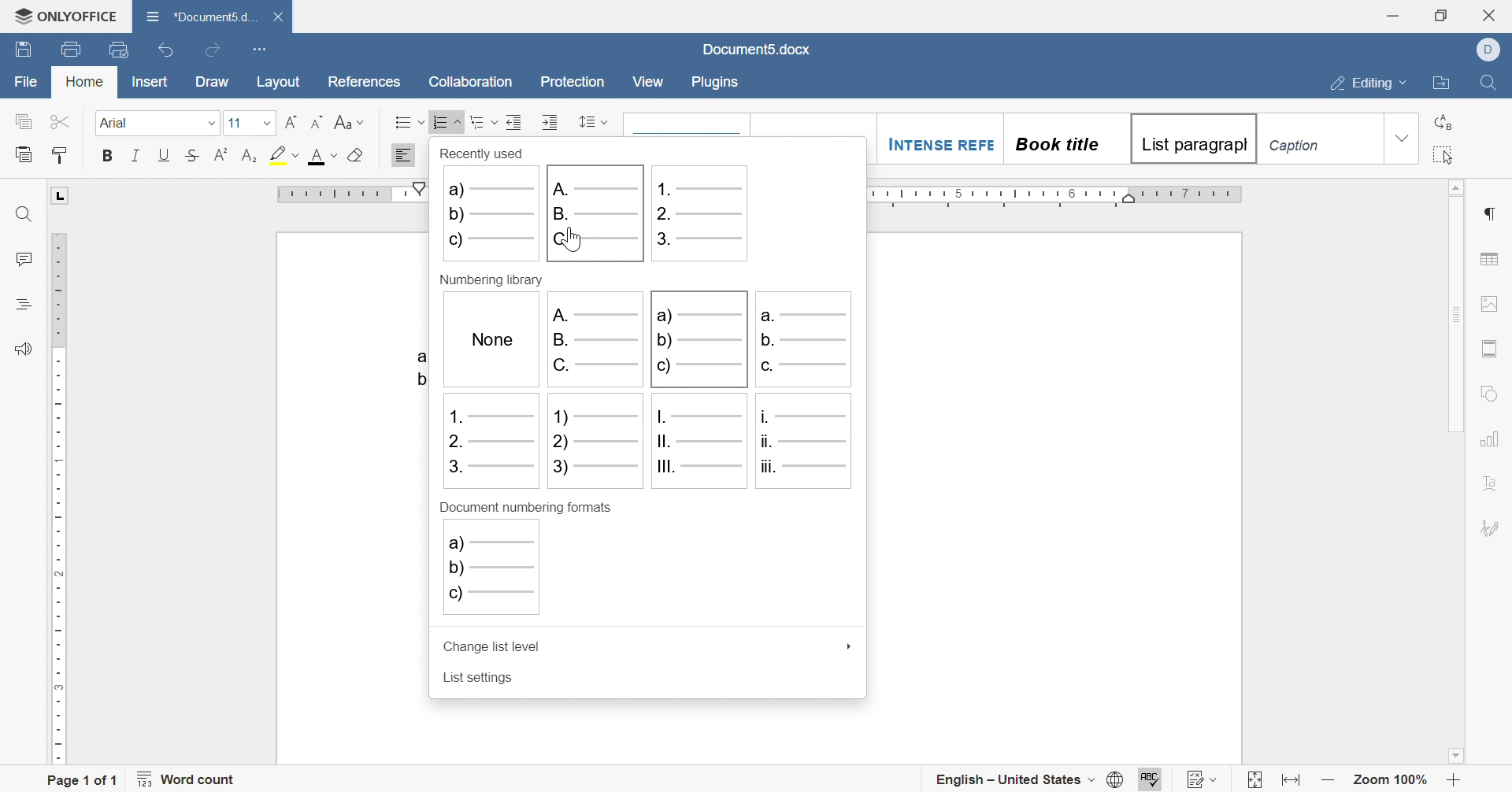 The height and width of the screenshot is (792, 1512). What do you see at coordinates (1492, 529) in the screenshot?
I see `signature settings` at bounding box center [1492, 529].